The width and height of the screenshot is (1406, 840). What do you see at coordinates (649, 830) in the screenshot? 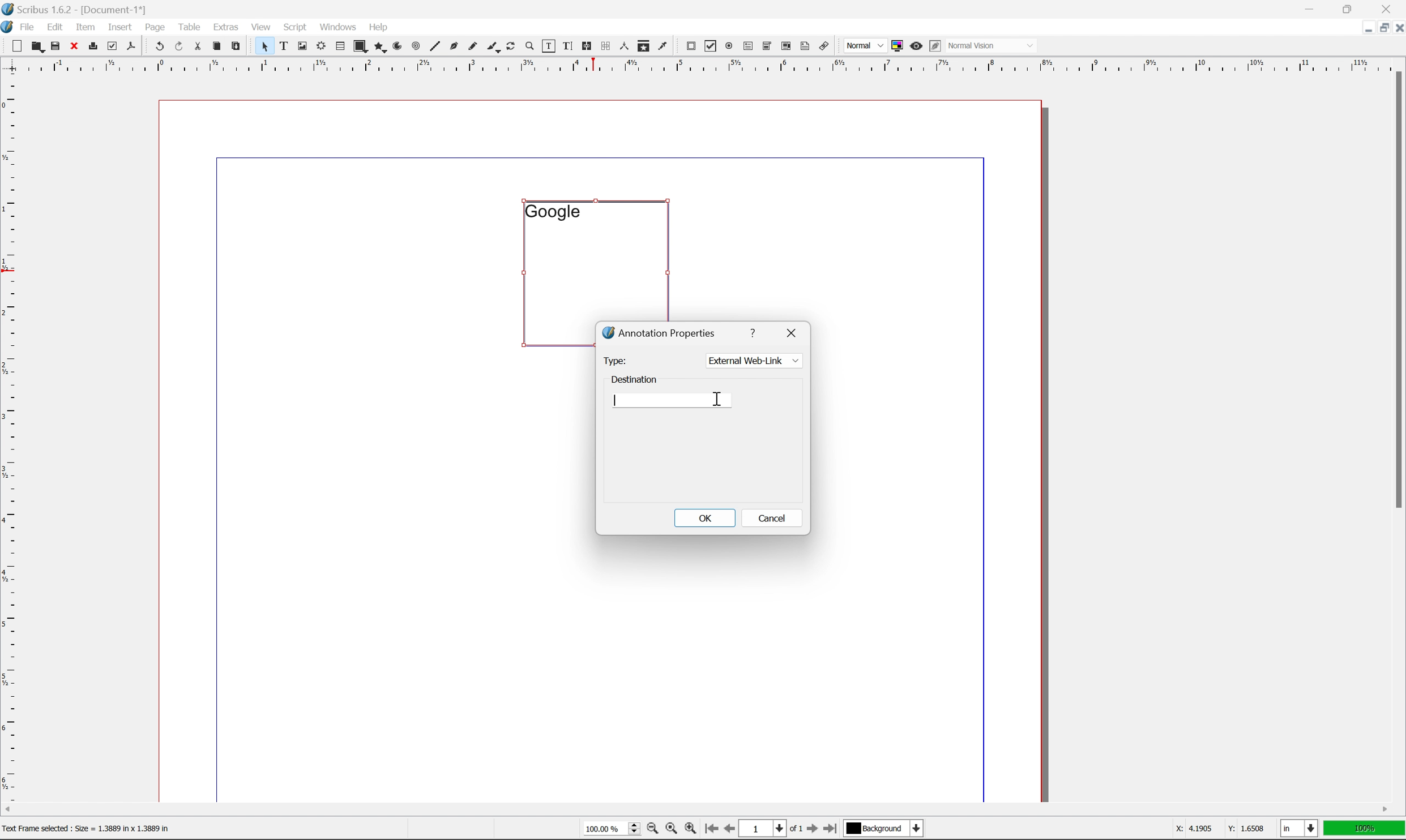
I see `zoom out` at bounding box center [649, 830].